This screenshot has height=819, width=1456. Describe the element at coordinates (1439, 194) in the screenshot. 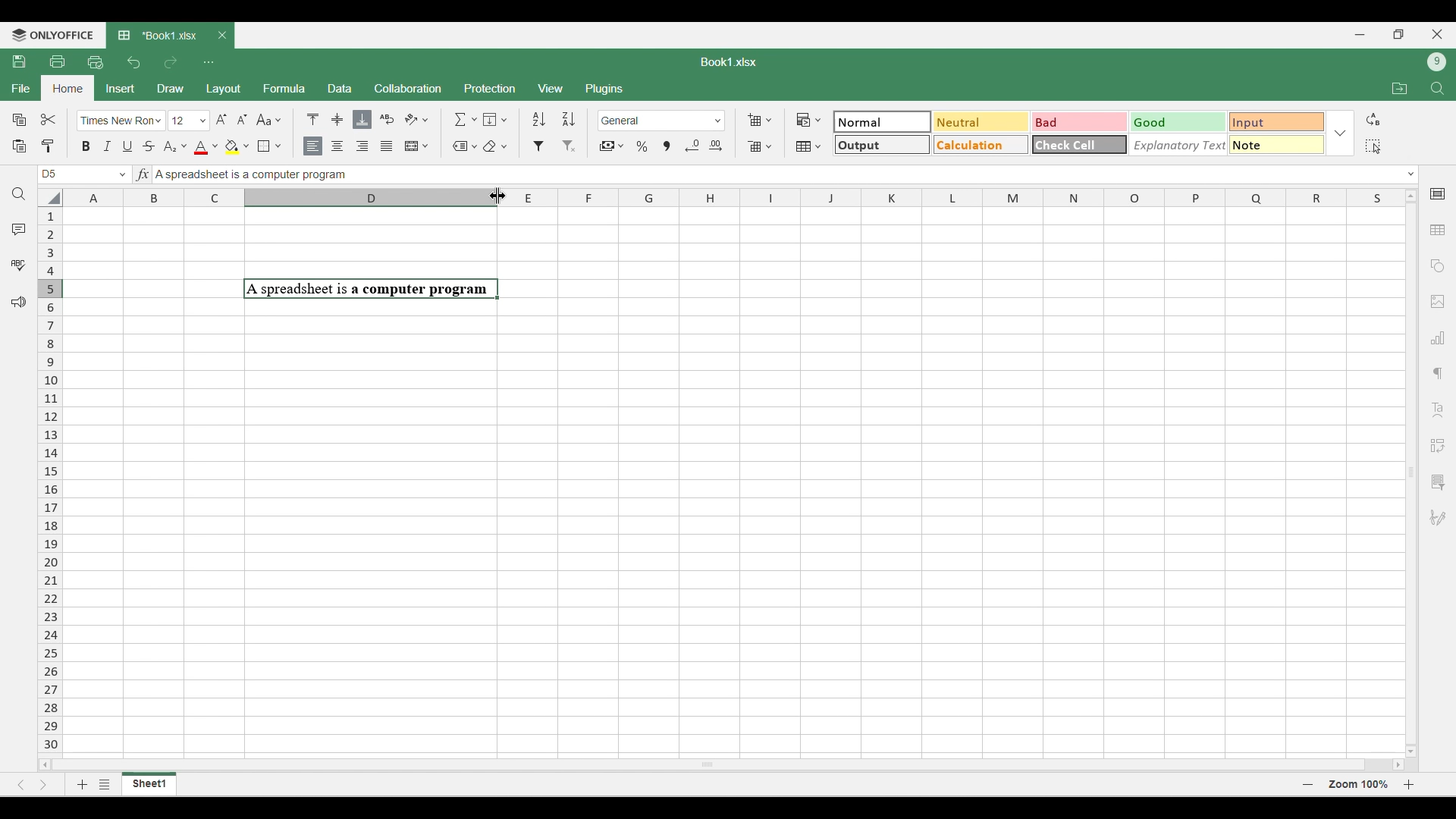

I see `Cell settings` at that location.